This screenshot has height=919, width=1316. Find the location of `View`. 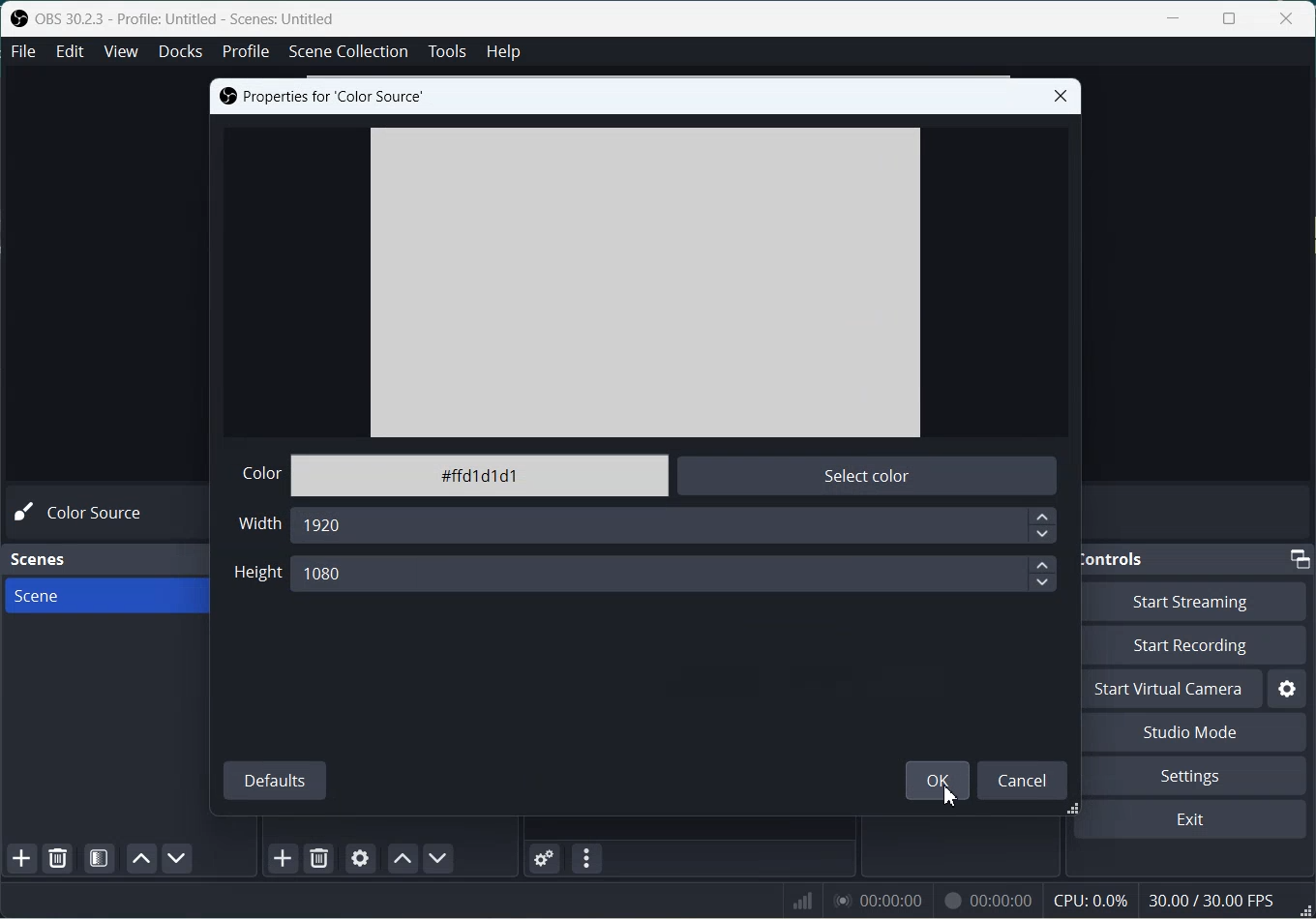

View is located at coordinates (121, 50).